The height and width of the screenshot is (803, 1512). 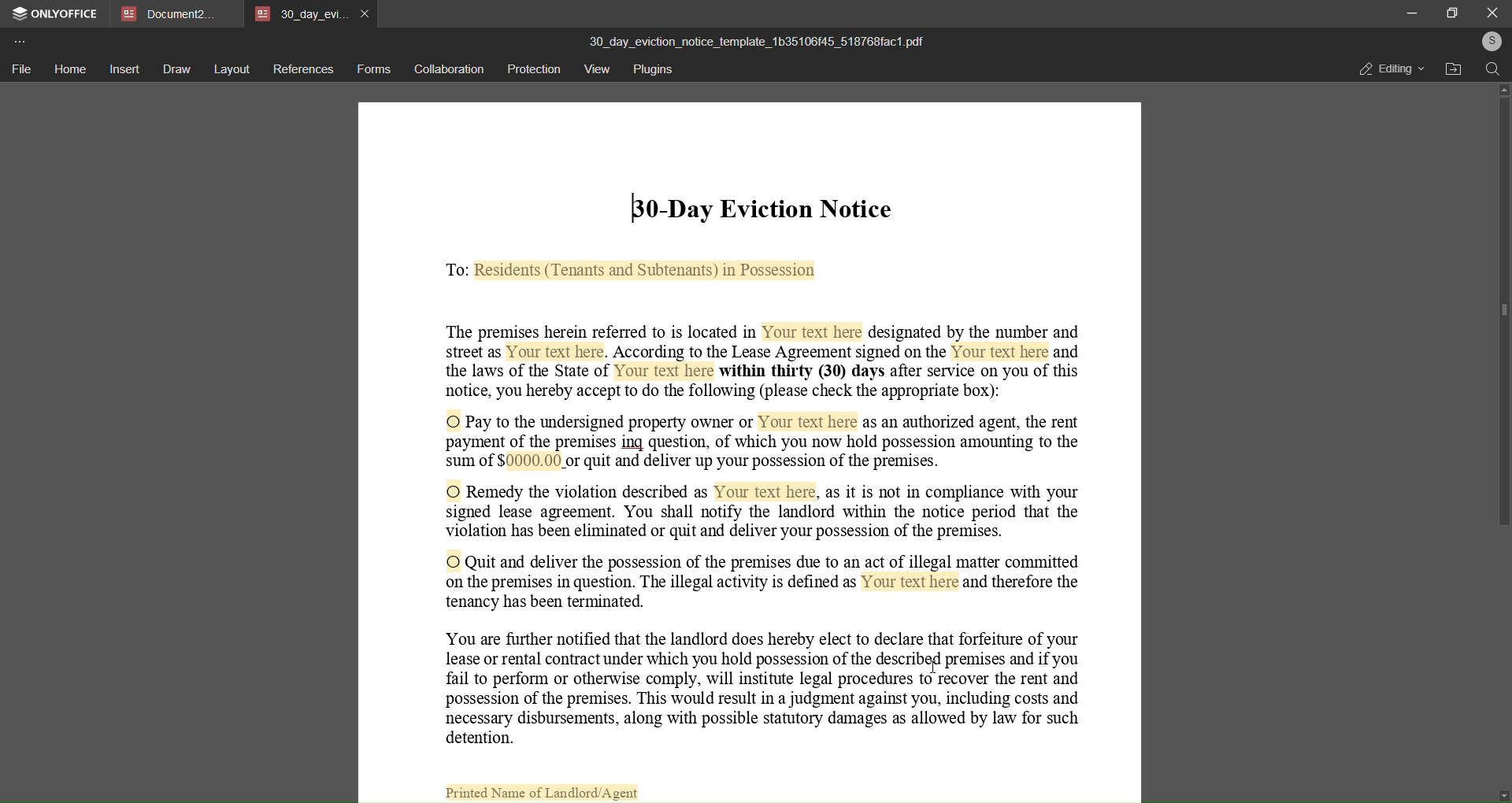 What do you see at coordinates (68, 67) in the screenshot?
I see `home` at bounding box center [68, 67].